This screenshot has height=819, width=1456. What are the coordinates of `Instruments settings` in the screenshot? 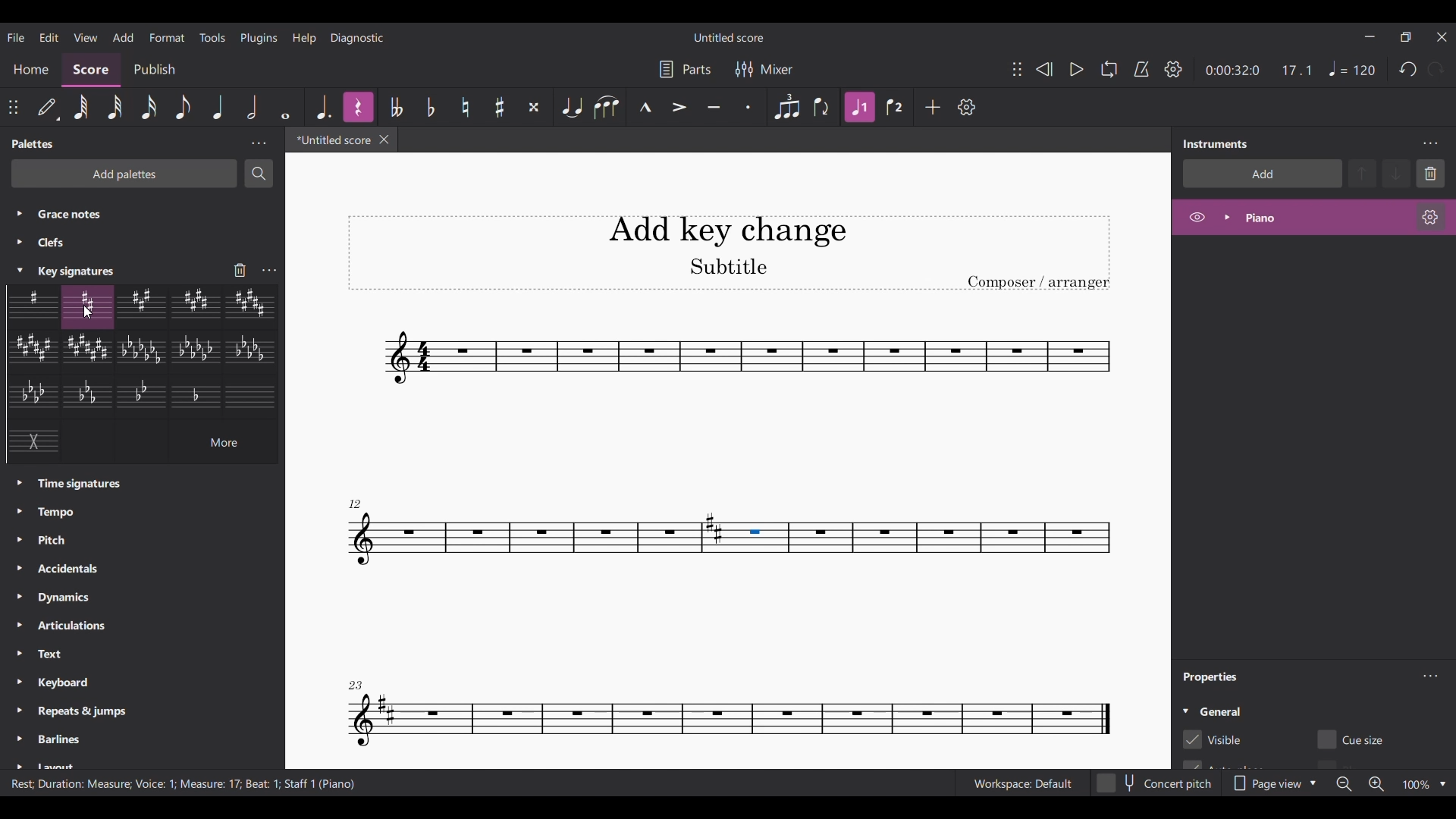 It's located at (1429, 143).